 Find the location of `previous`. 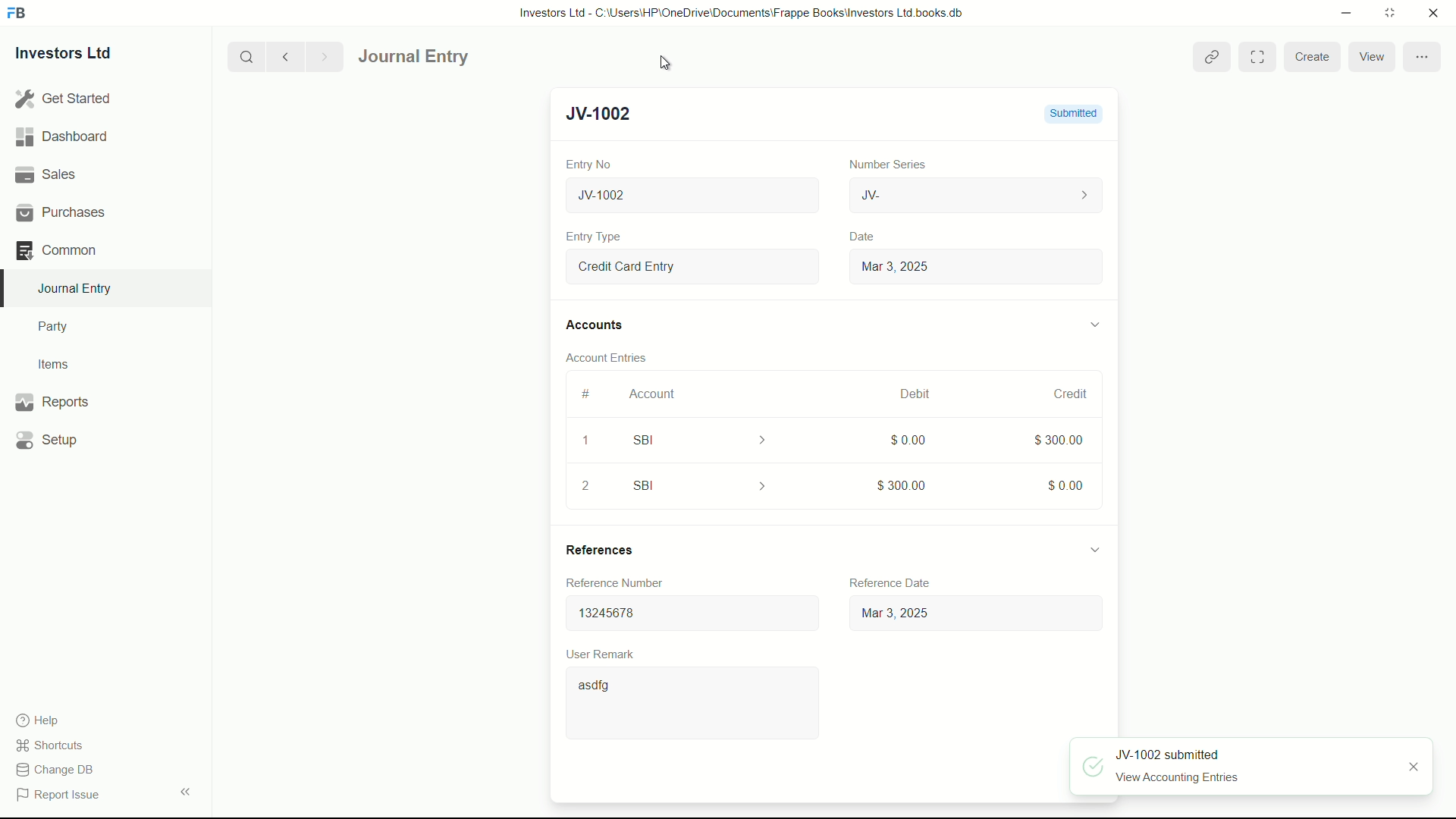

previous is located at coordinates (284, 56).